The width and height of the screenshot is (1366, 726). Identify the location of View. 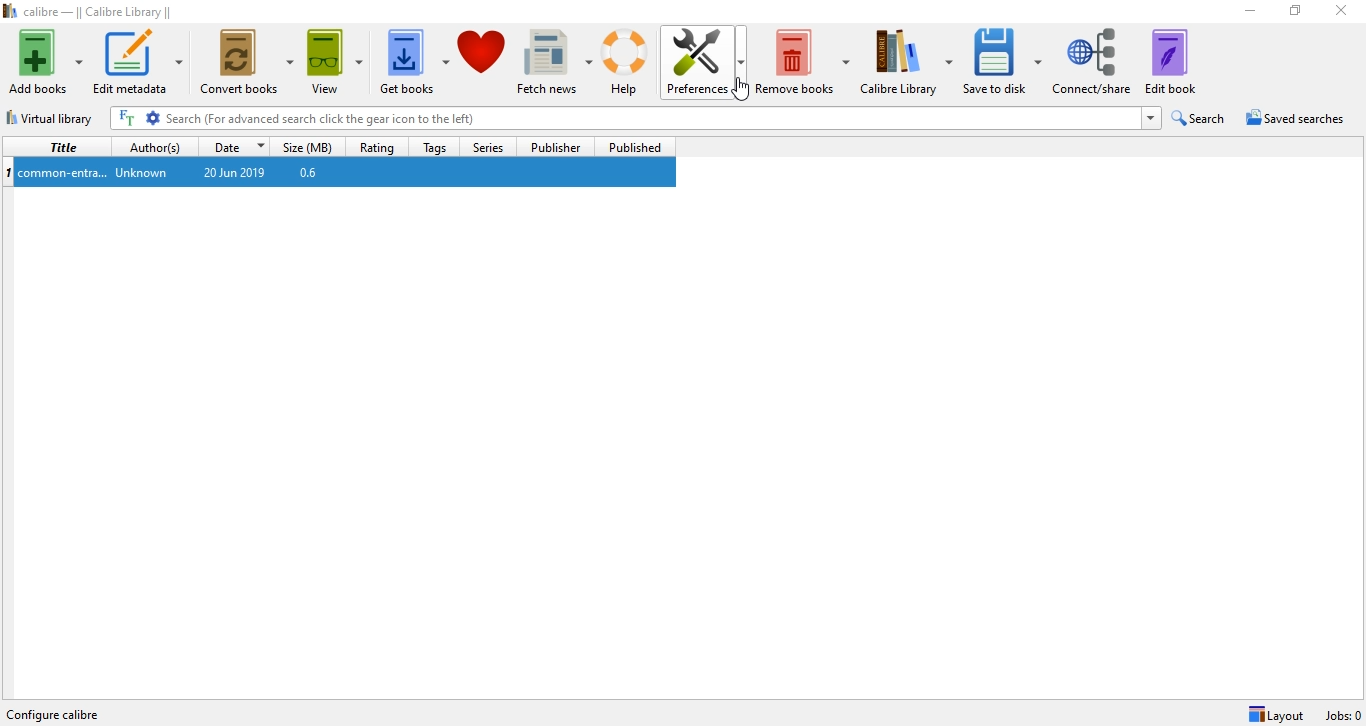
(332, 57).